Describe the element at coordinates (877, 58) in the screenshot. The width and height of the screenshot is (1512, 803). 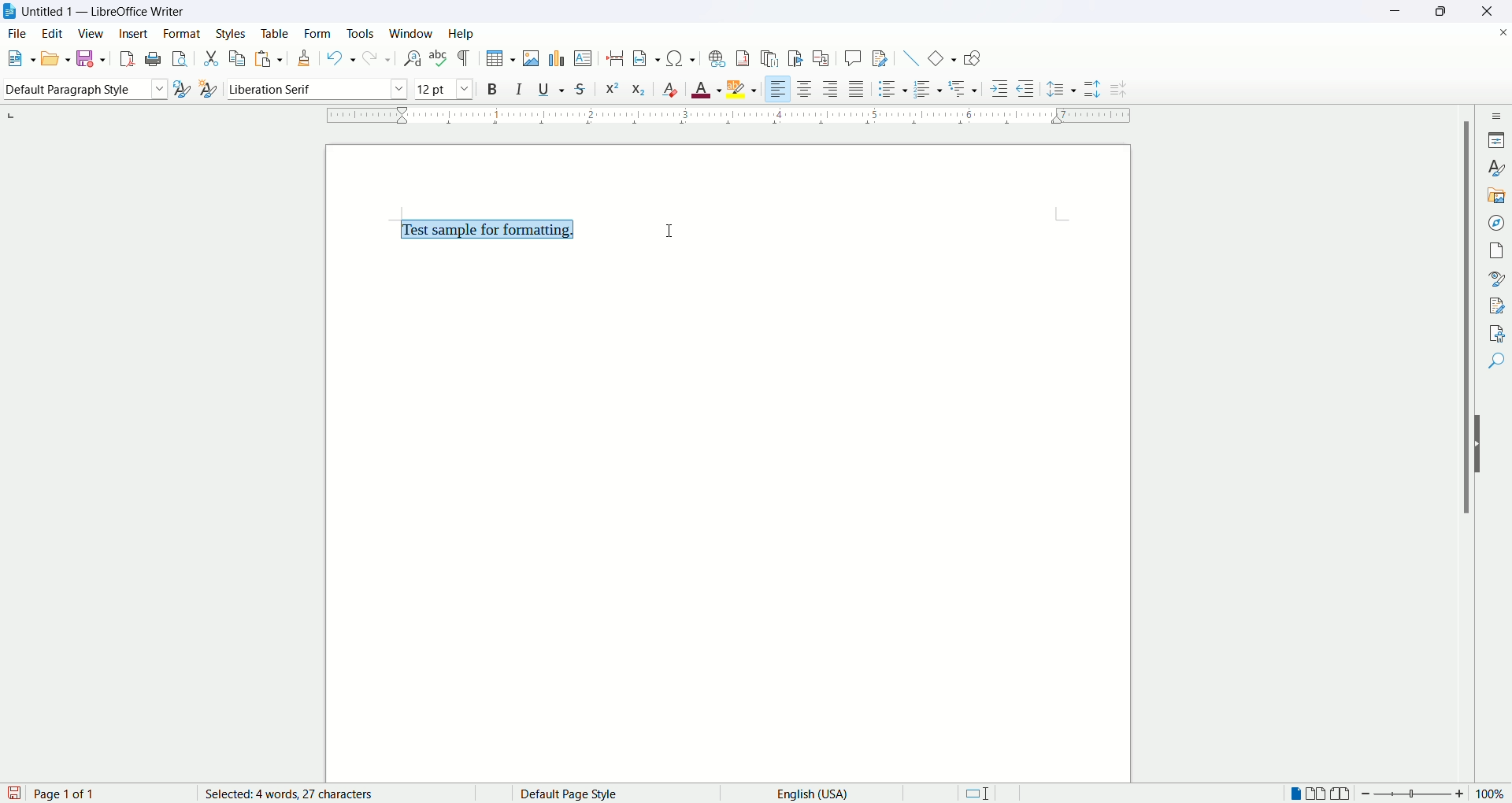
I see `track changes` at that location.